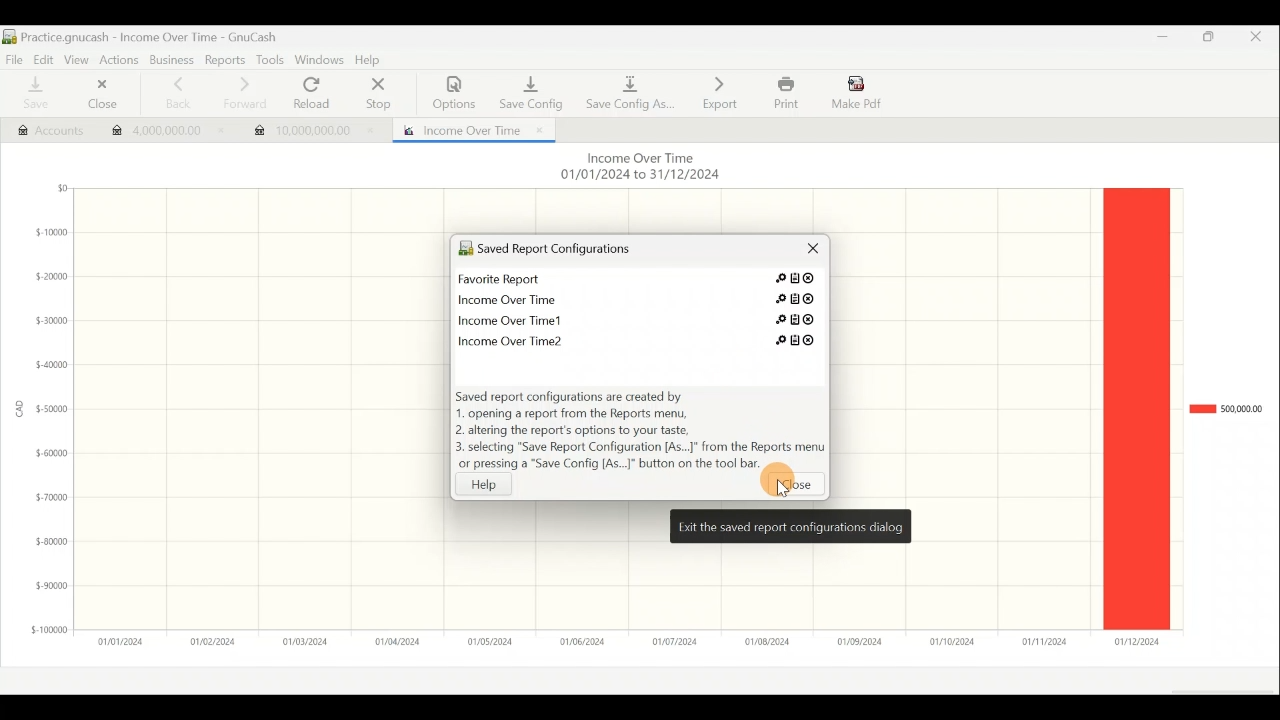 The image size is (1280, 720). Describe the element at coordinates (14, 58) in the screenshot. I see `File` at that location.